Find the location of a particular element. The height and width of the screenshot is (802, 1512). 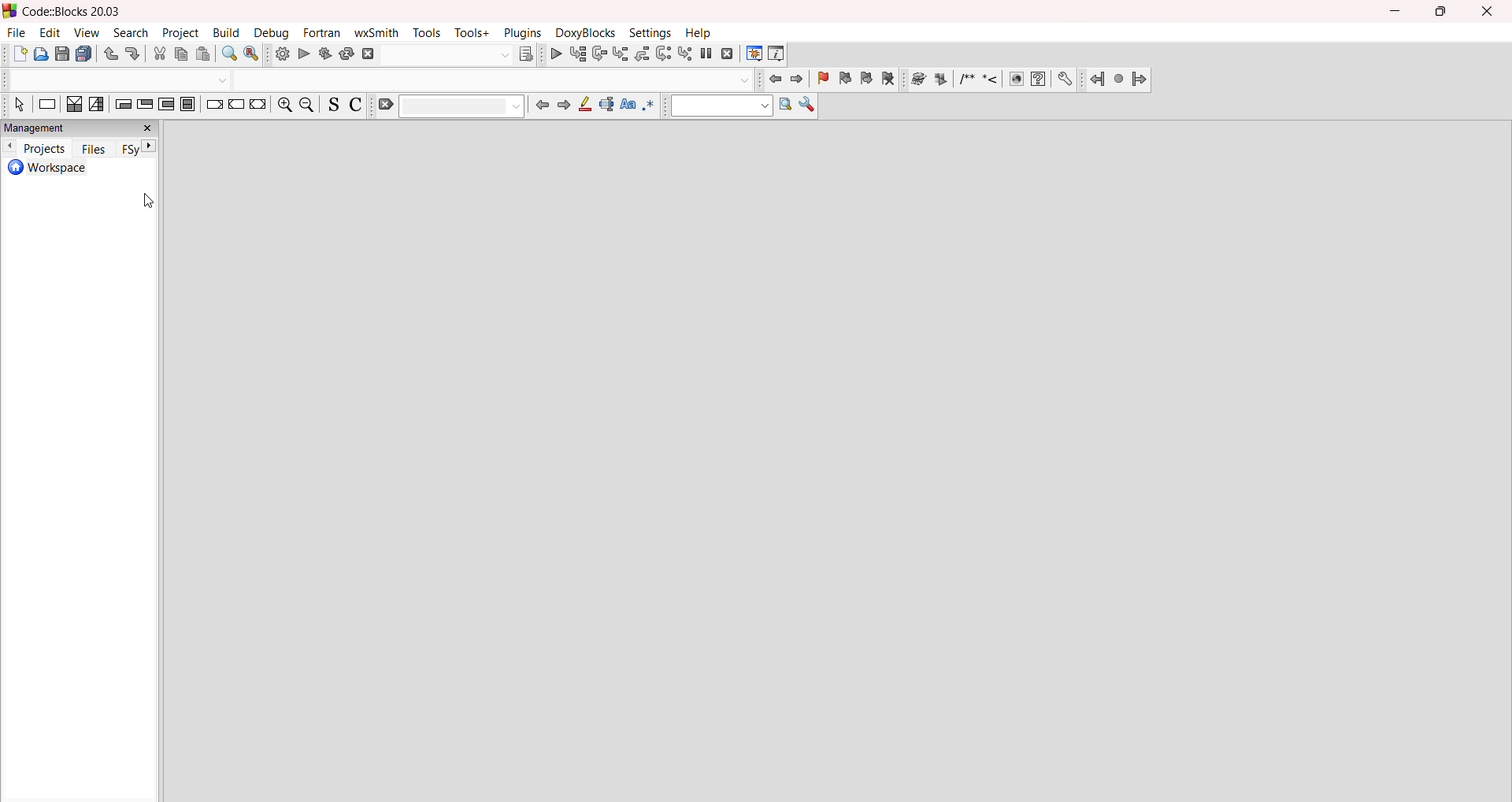

Back jump is located at coordinates (1096, 80).